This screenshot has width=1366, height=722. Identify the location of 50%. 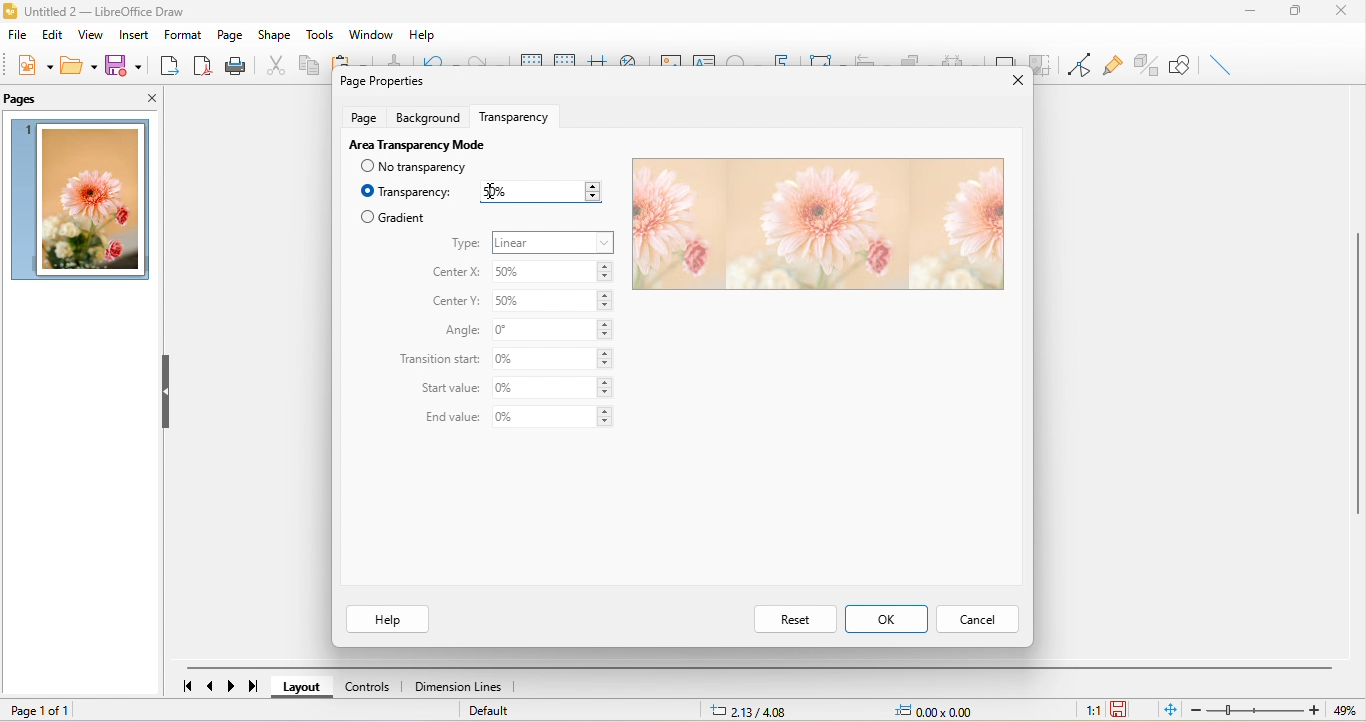
(555, 273).